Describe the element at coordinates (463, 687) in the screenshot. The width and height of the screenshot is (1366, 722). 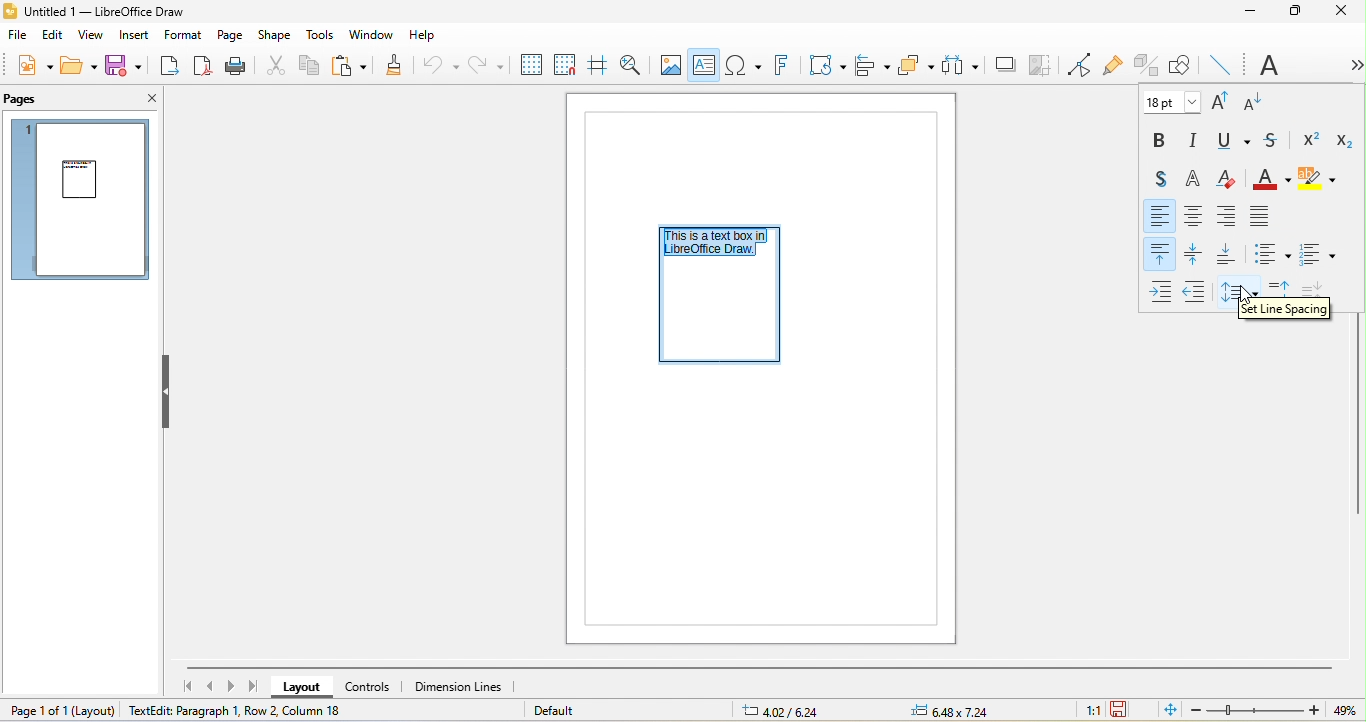
I see `dimension lines` at that location.